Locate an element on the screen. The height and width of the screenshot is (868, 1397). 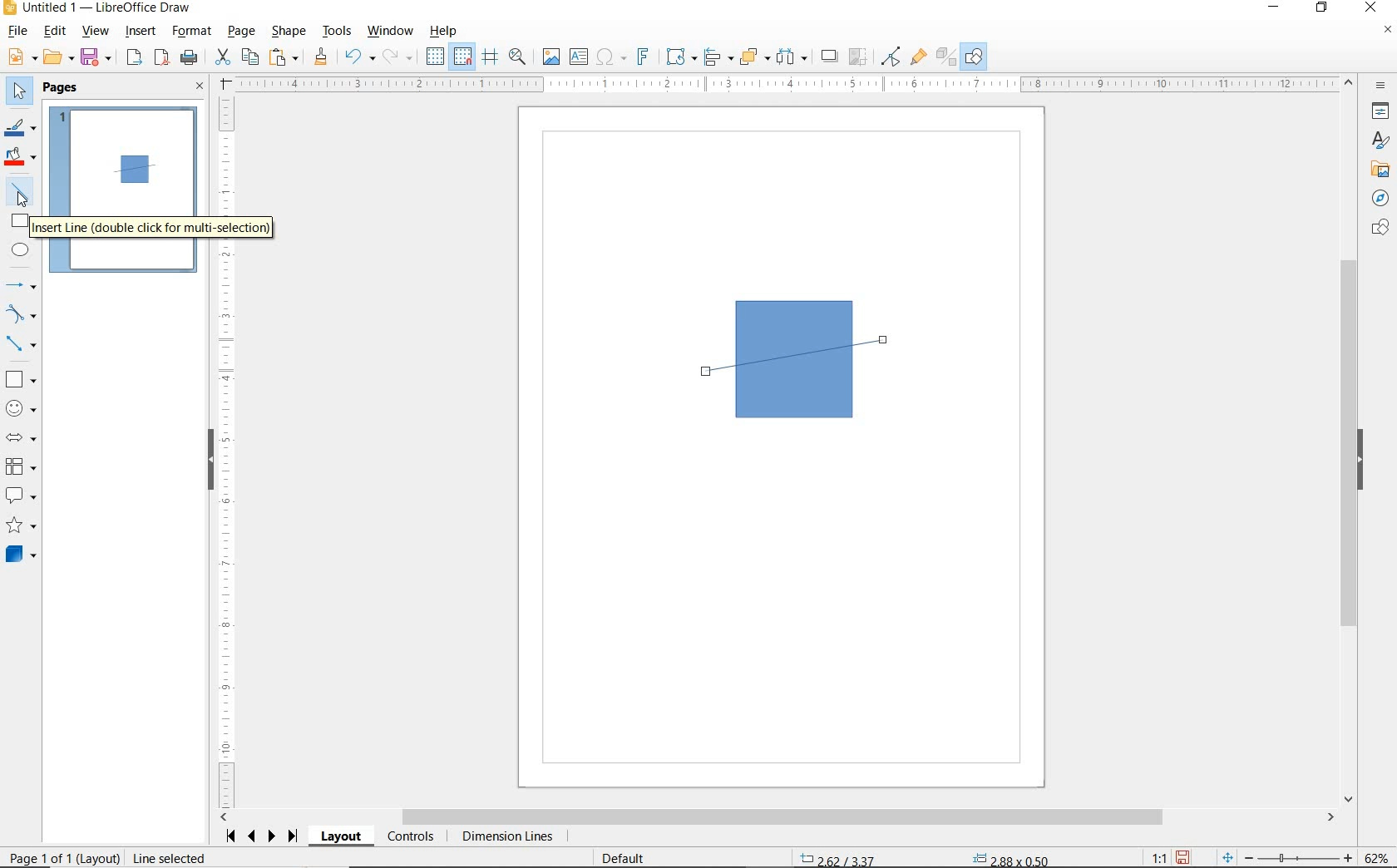
ARRANGE is located at coordinates (755, 56).